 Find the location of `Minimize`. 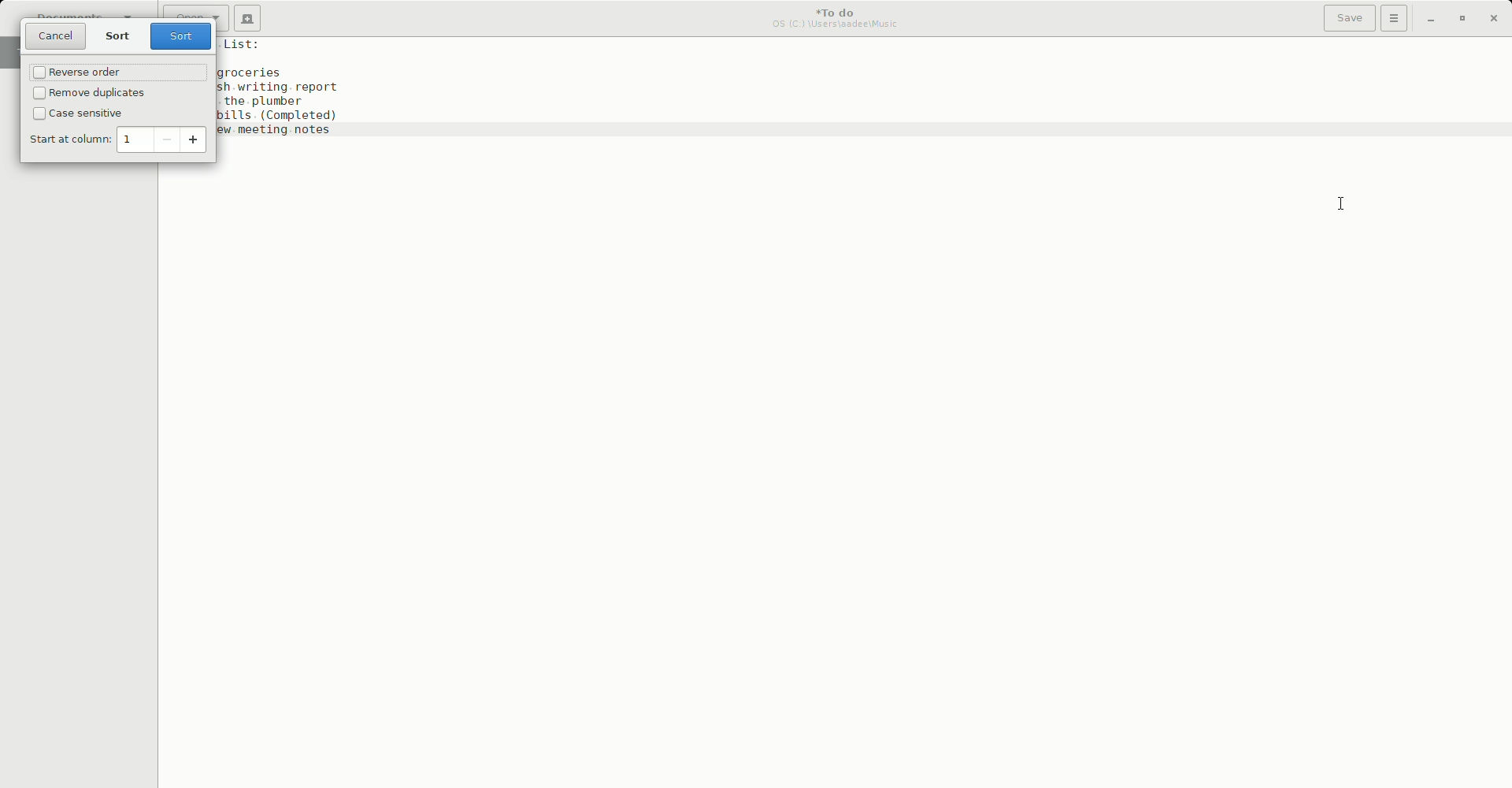

Minimize is located at coordinates (1431, 20).